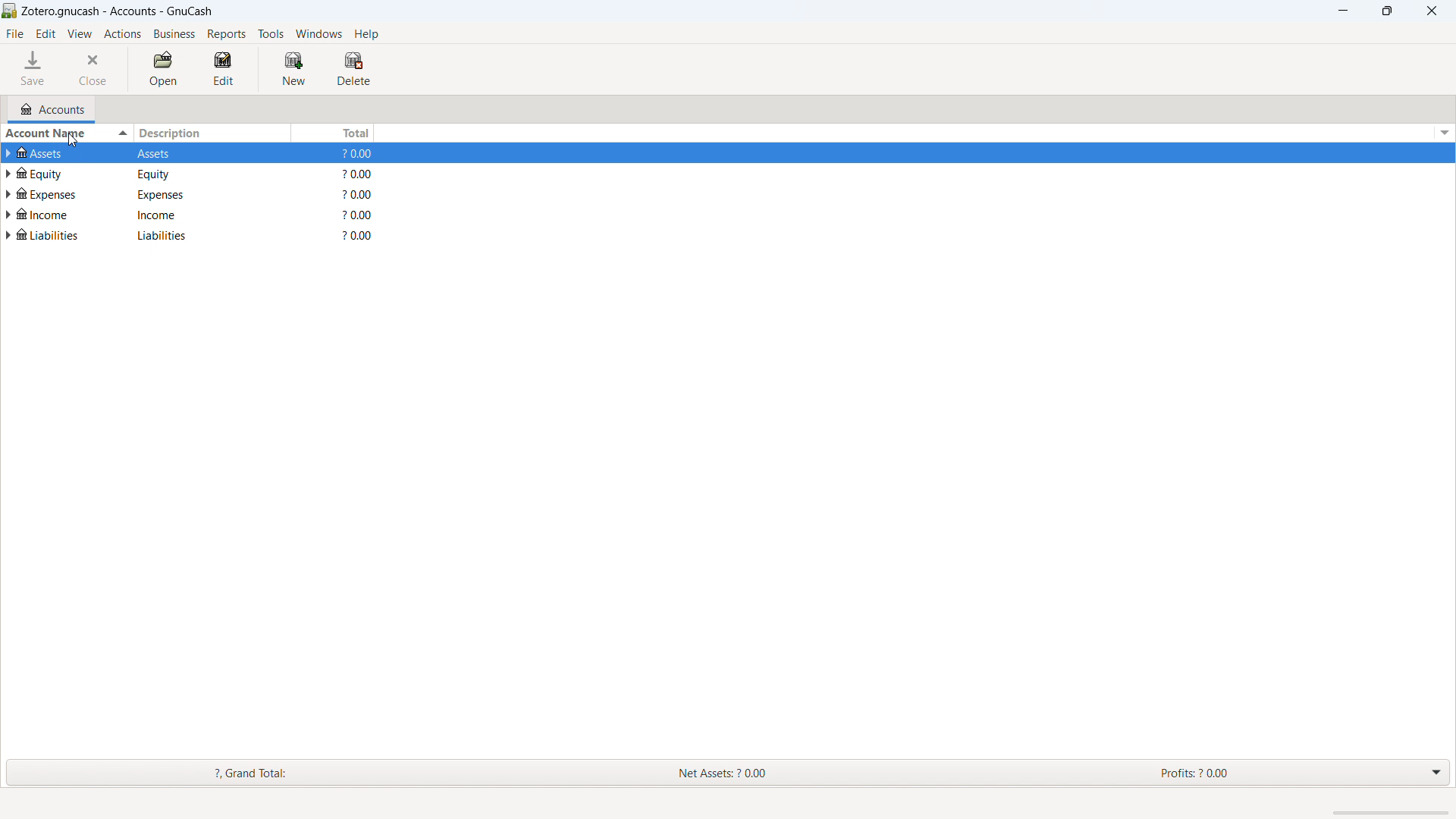 The width and height of the screenshot is (1456, 819). I want to click on Profits: ? 0.00, so click(1228, 773).